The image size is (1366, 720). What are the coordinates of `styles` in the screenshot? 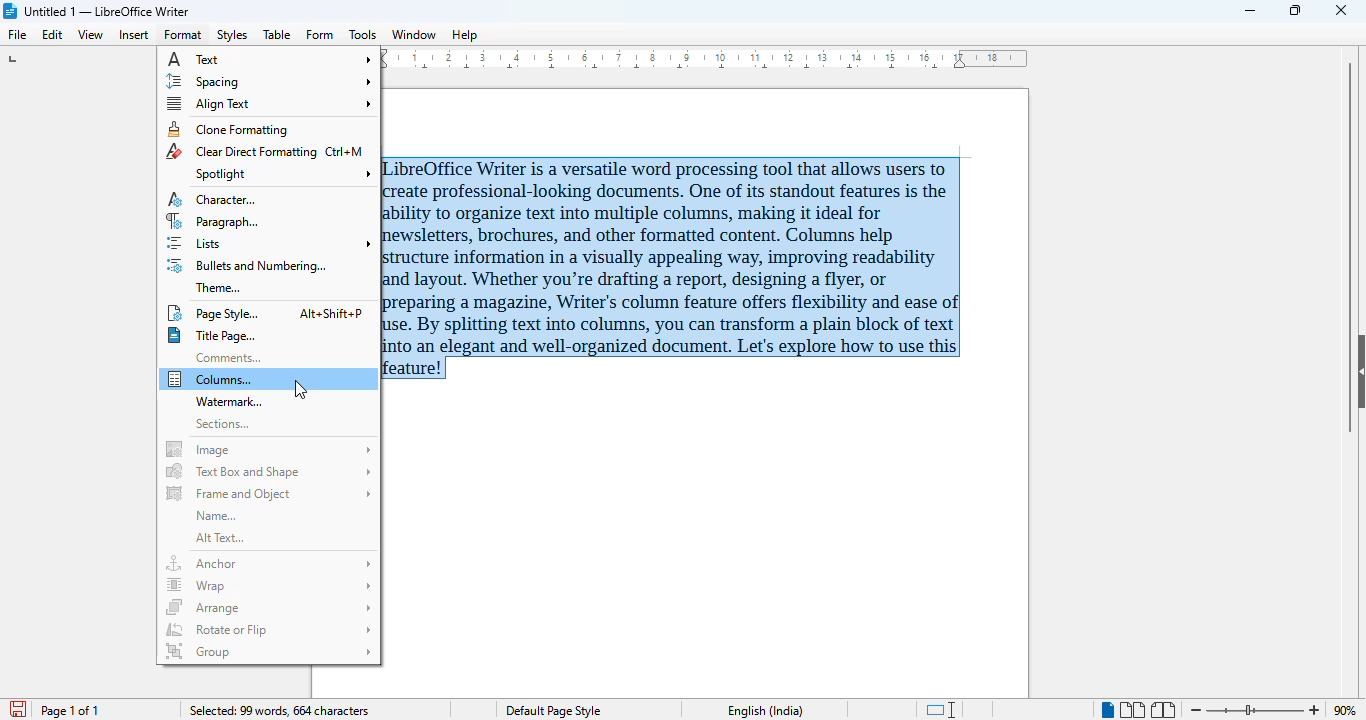 It's located at (231, 36).